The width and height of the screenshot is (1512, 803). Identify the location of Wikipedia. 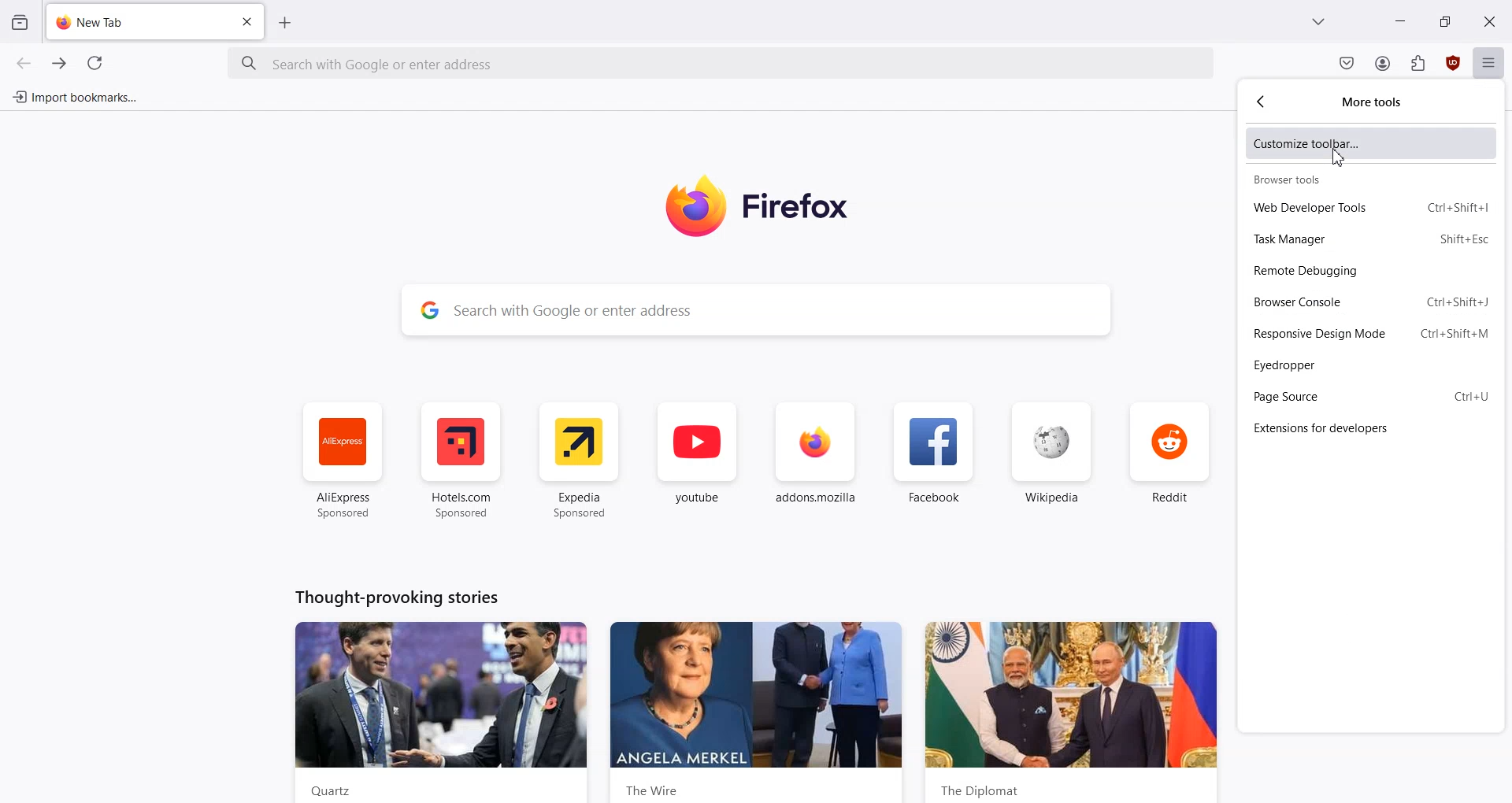
(1052, 461).